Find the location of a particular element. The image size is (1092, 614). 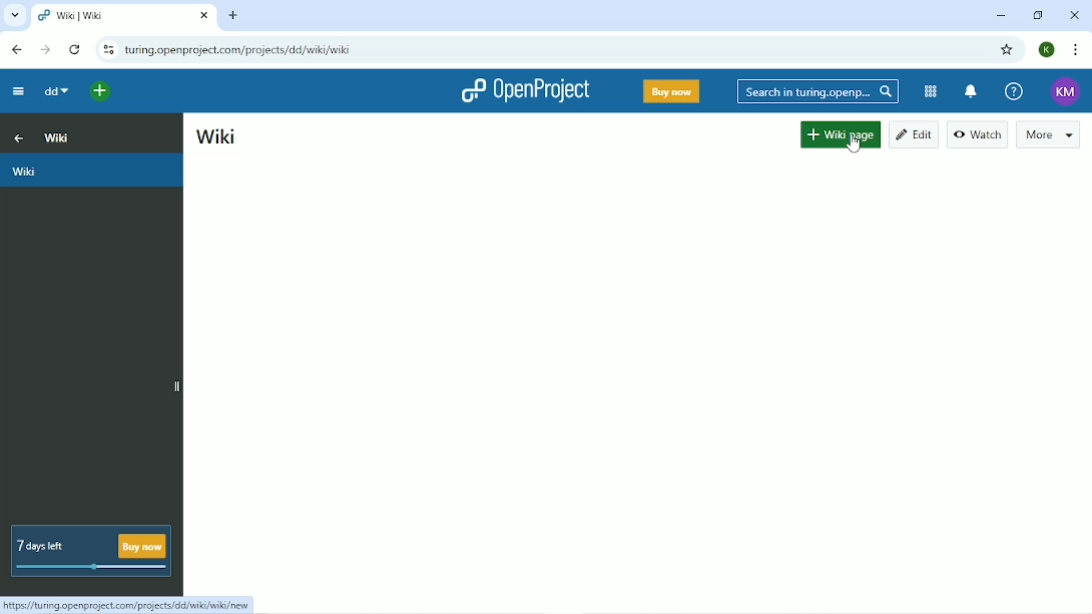

Current tab is located at coordinates (124, 17).